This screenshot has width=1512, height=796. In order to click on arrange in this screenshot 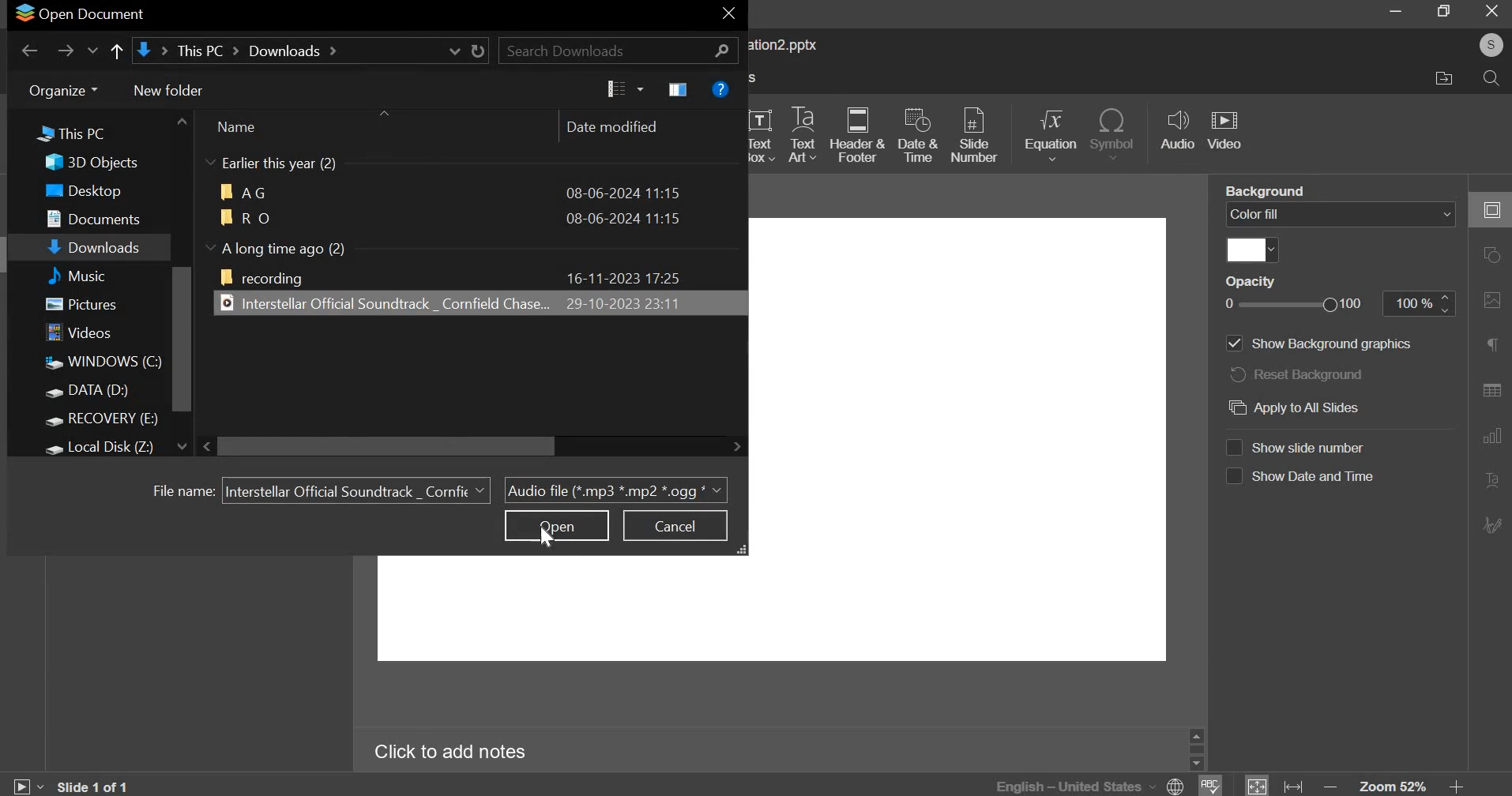, I will do `click(383, 113)`.